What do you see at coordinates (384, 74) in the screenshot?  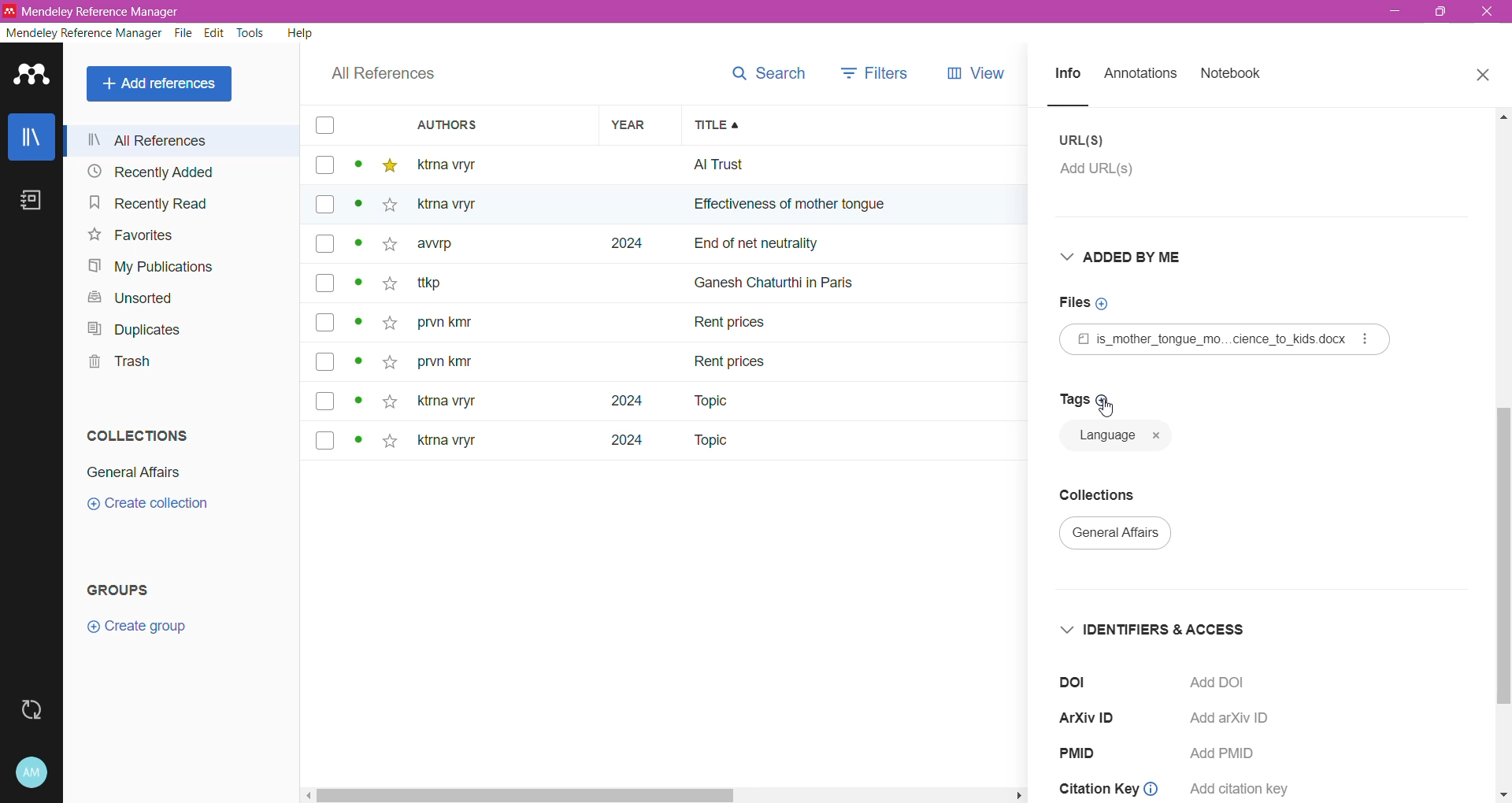 I see `All References` at bounding box center [384, 74].